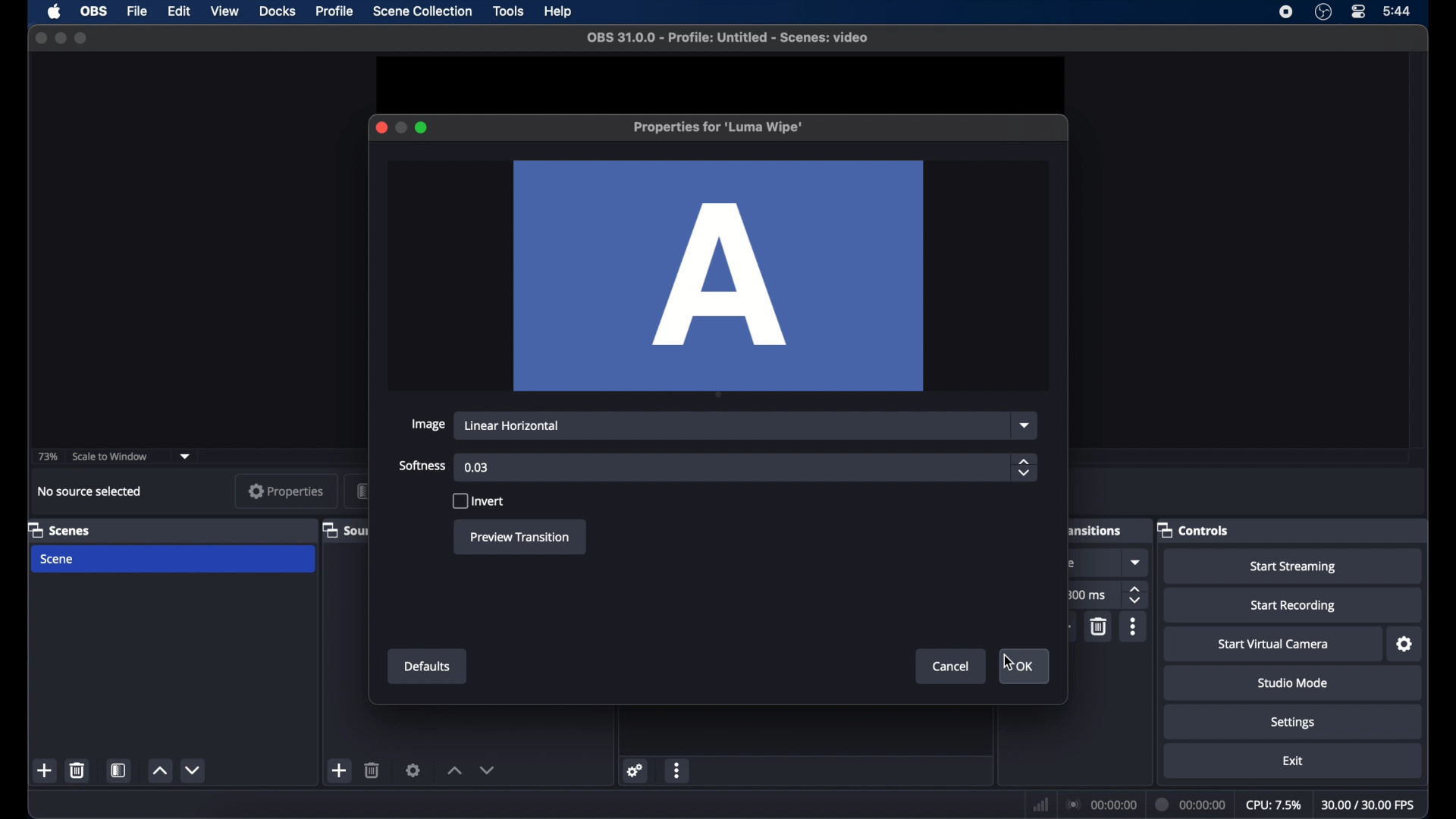 This screenshot has height=819, width=1456. What do you see at coordinates (1285, 12) in the screenshot?
I see `screen recorder icon` at bounding box center [1285, 12].